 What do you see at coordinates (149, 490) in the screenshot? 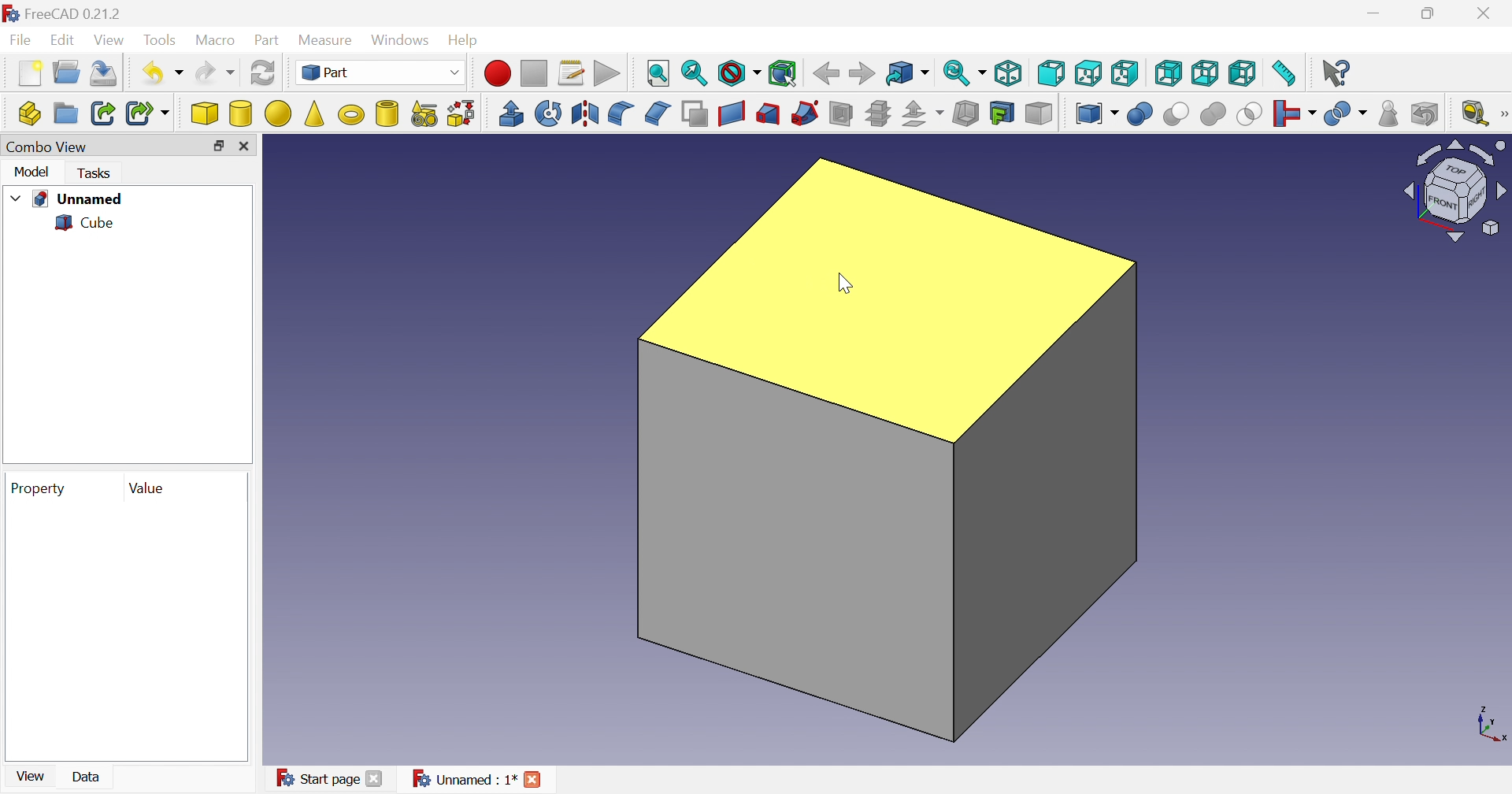
I see `Value` at bounding box center [149, 490].